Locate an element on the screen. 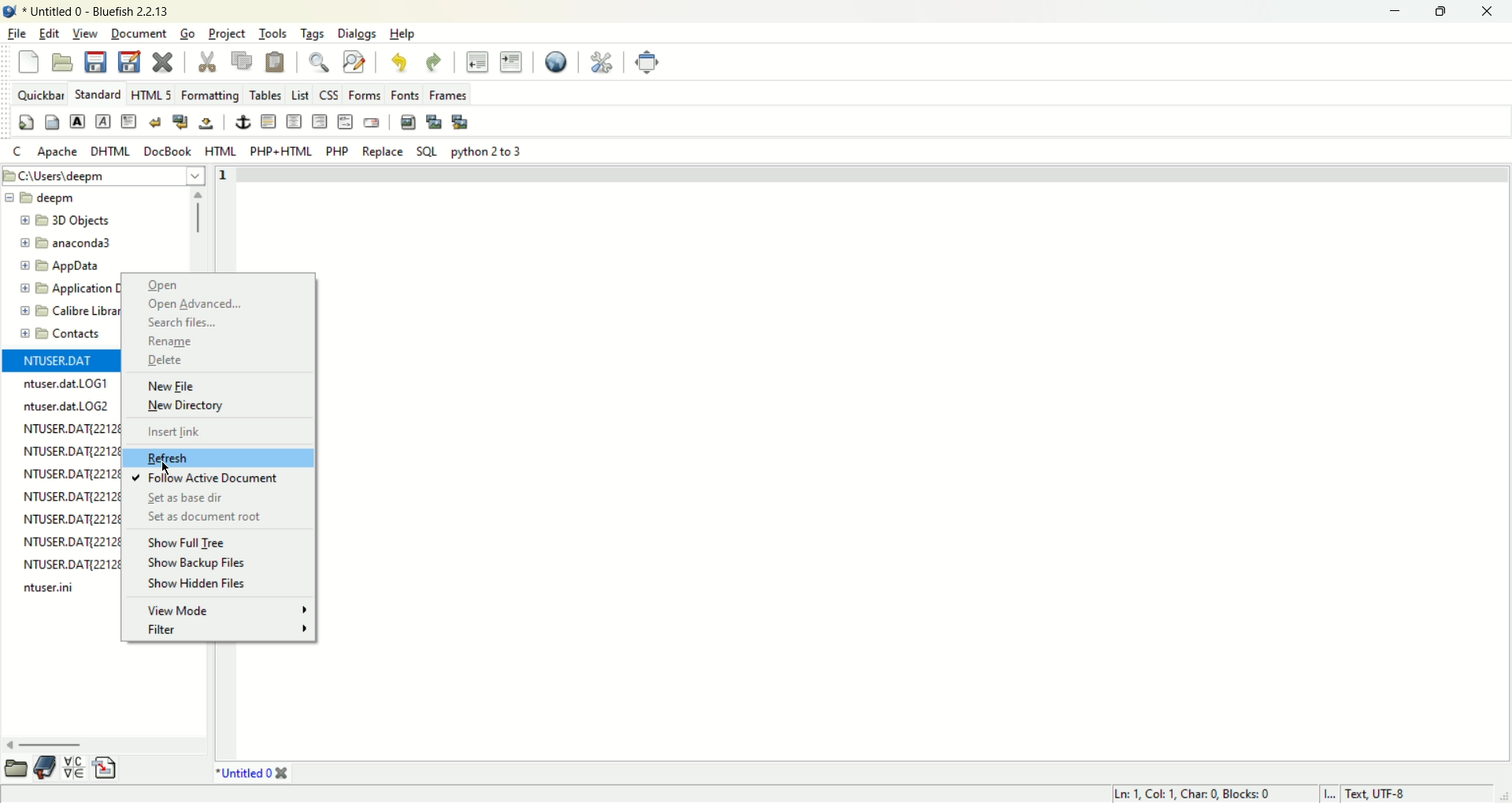  folder name is located at coordinates (49, 200).